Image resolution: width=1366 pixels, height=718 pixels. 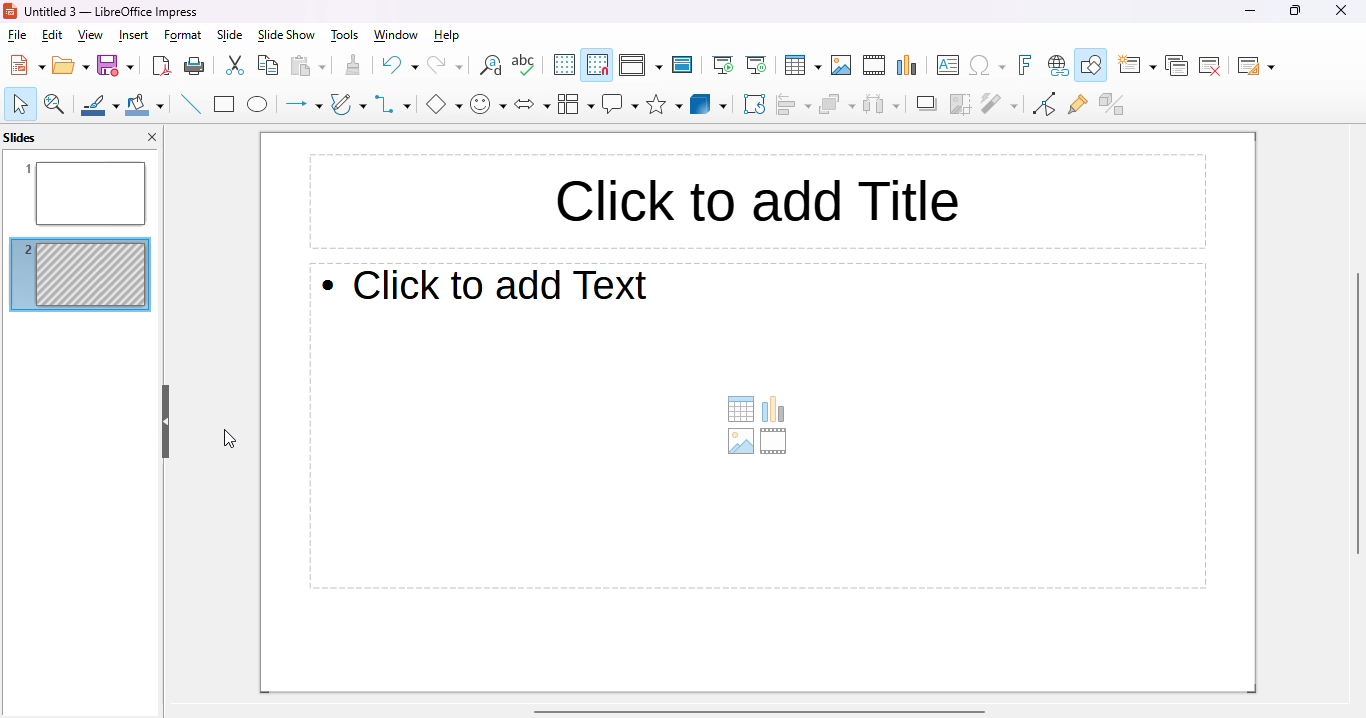 What do you see at coordinates (82, 191) in the screenshot?
I see `slide 1` at bounding box center [82, 191].